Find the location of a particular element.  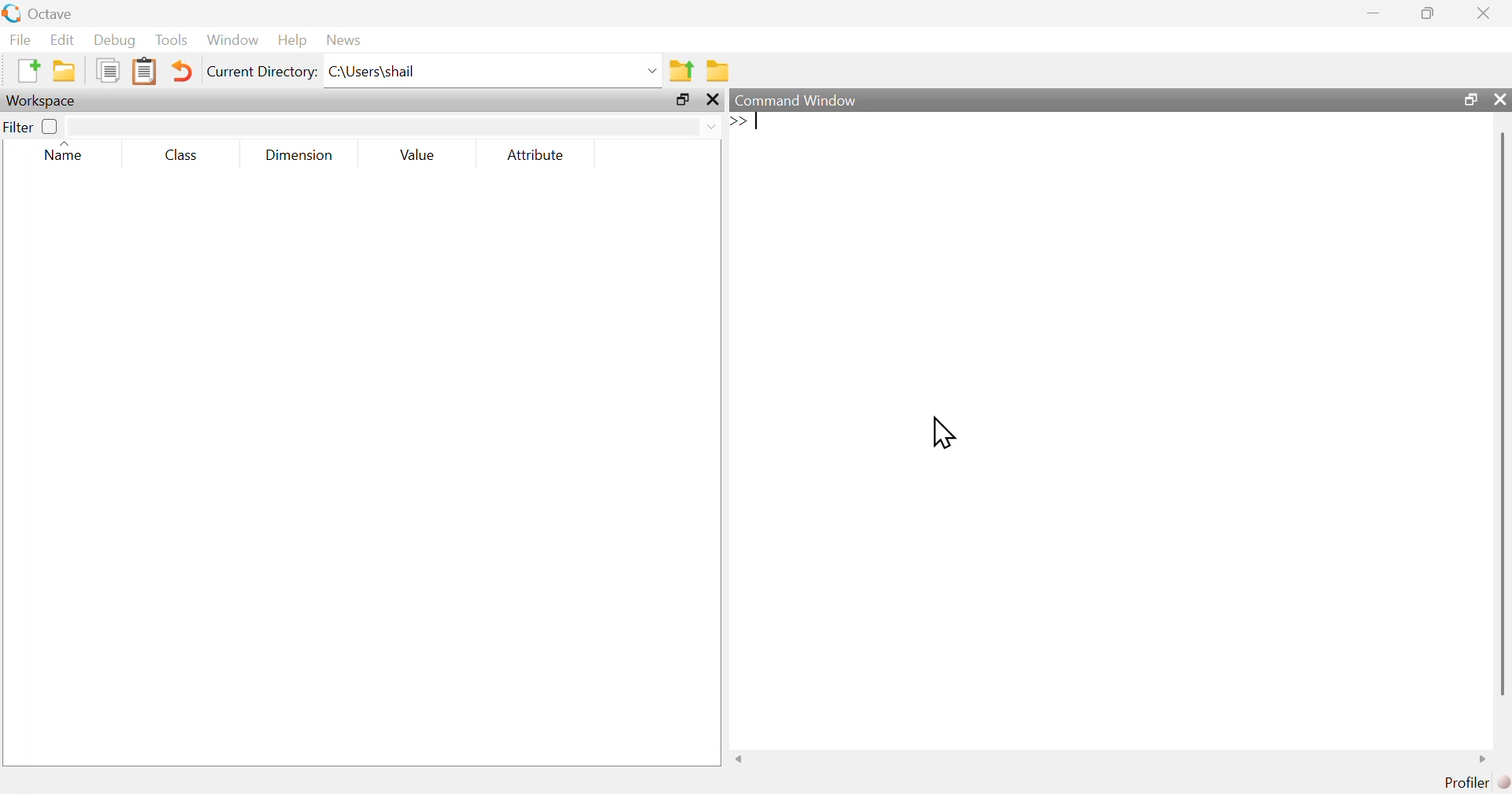

Duplicate is located at coordinates (109, 72).